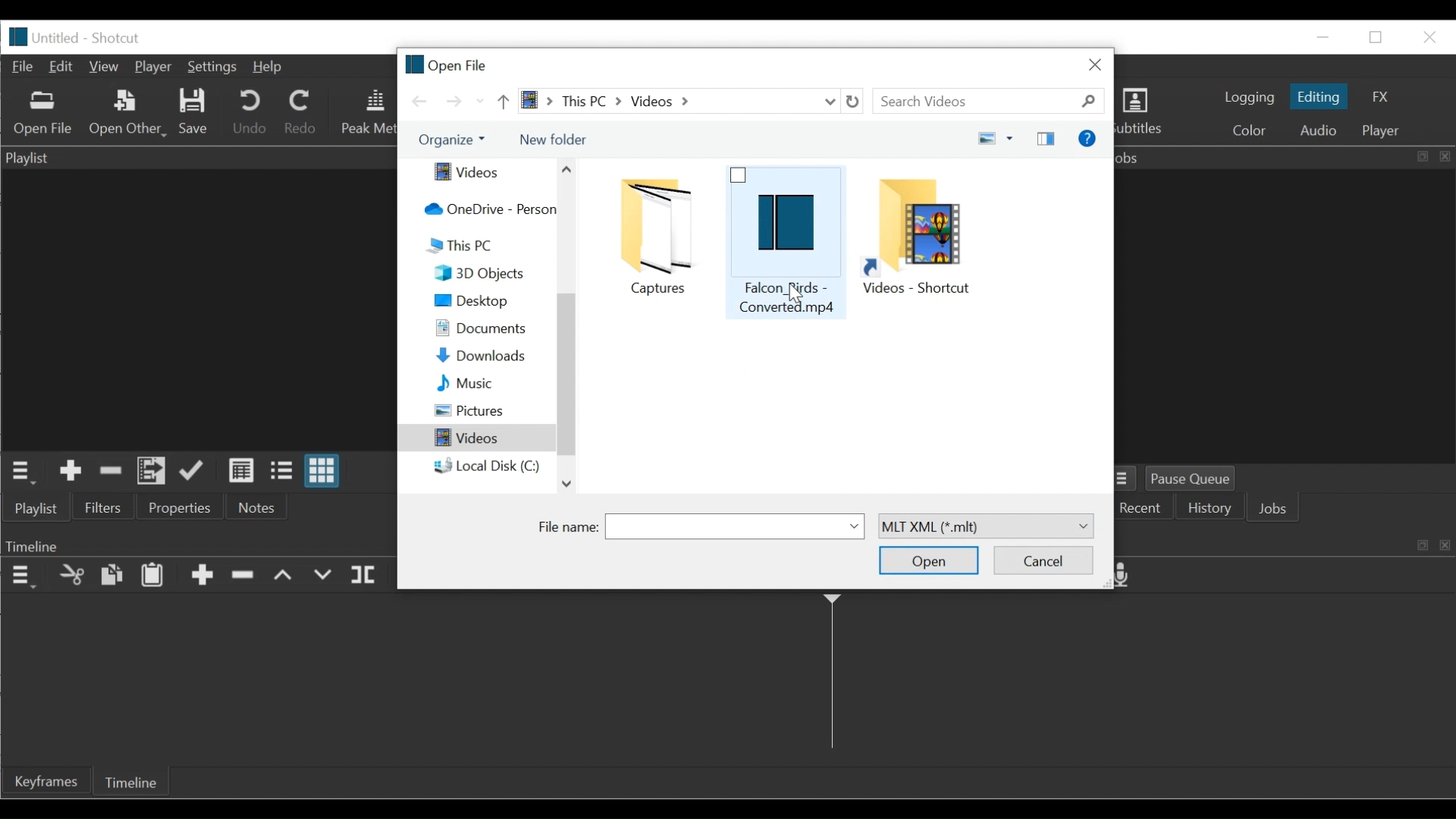 The width and height of the screenshot is (1456, 819). What do you see at coordinates (491, 330) in the screenshot?
I see `Documents` at bounding box center [491, 330].